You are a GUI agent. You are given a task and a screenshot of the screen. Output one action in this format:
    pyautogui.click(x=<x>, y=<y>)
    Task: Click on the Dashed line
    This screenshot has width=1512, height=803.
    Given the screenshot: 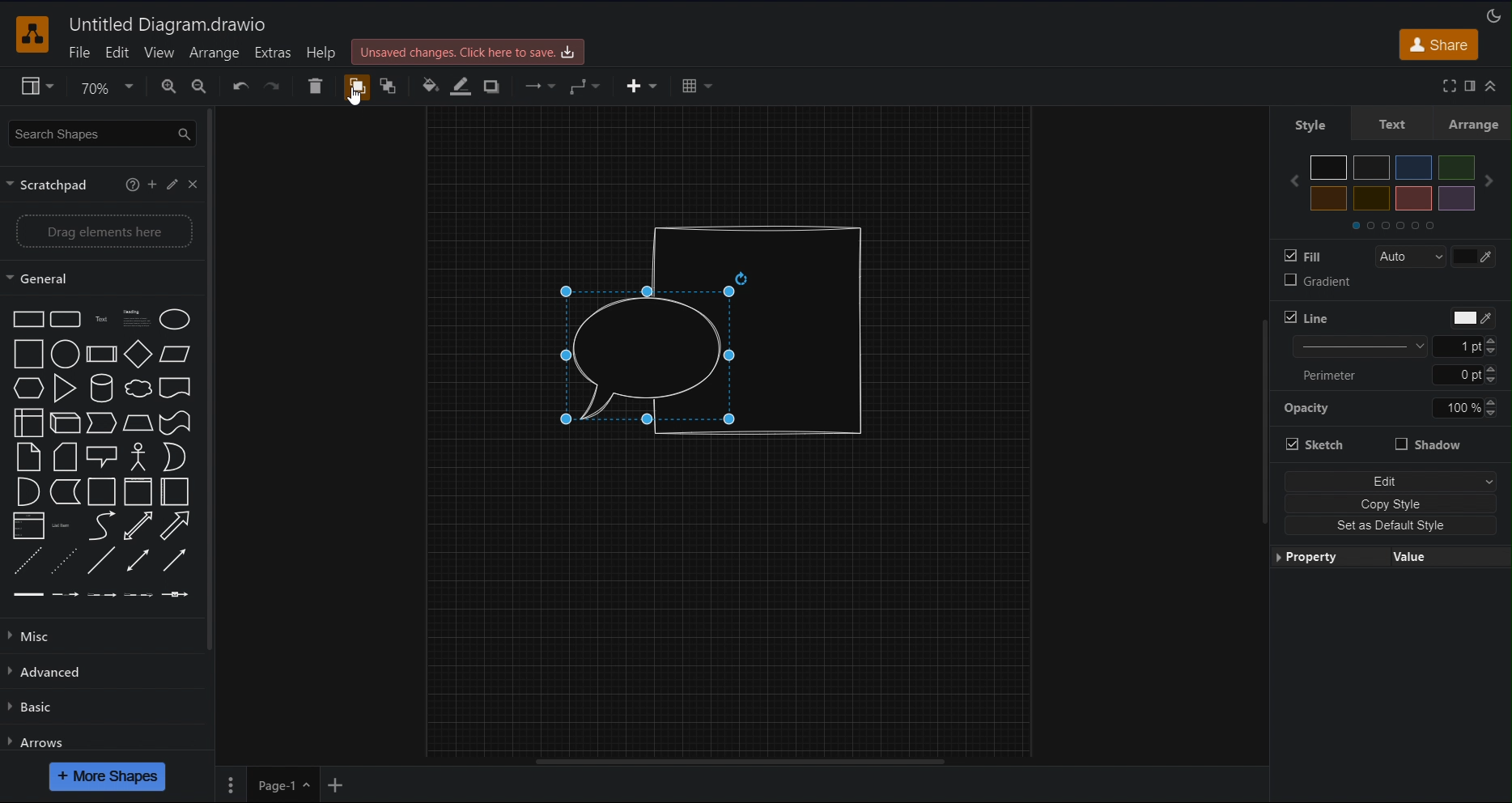 What is the action you would take?
    pyautogui.click(x=28, y=561)
    